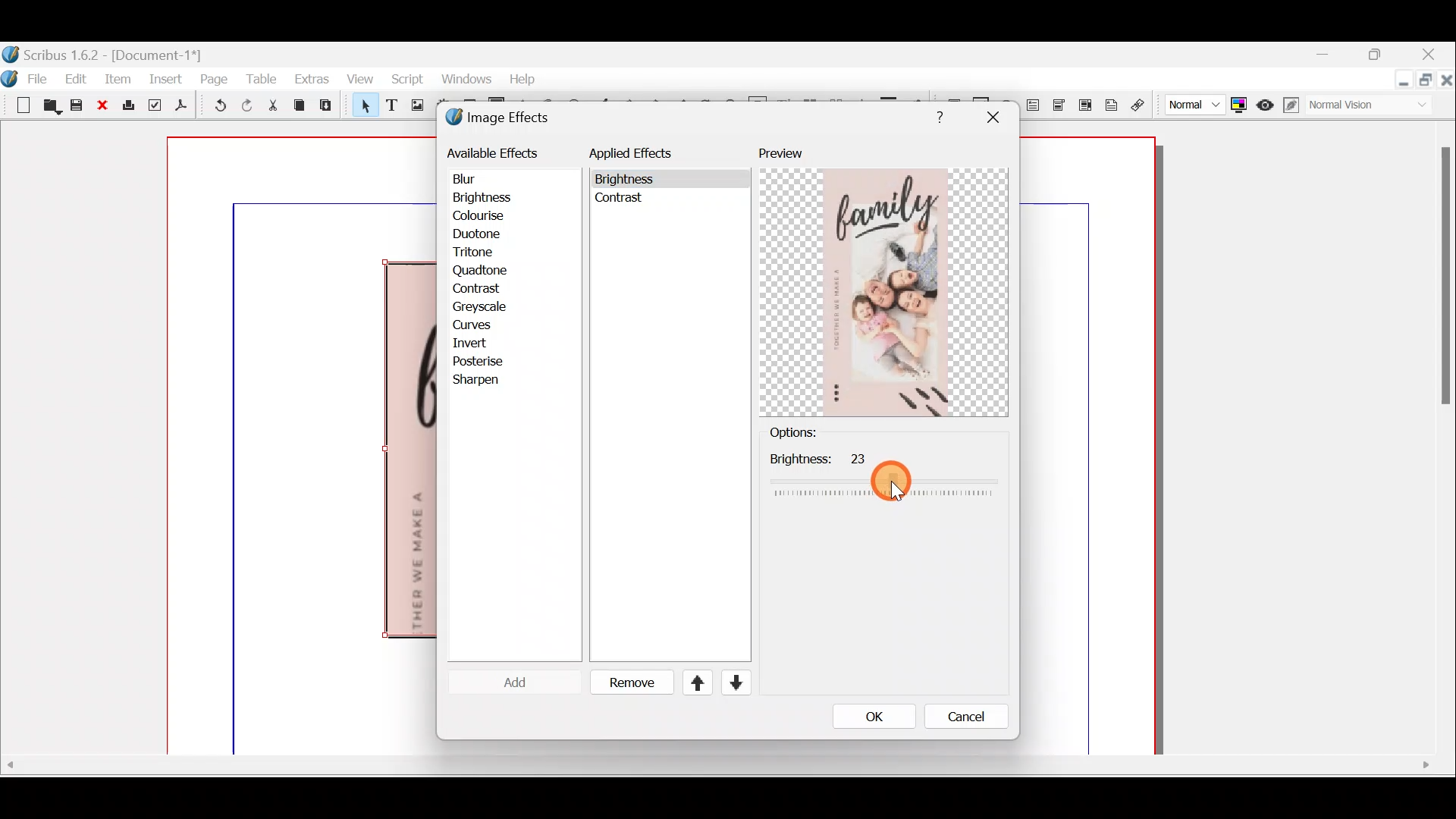 The image size is (1456, 819). Describe the element at coordinates (628, 180) in the screenshot. I see `` at that location.